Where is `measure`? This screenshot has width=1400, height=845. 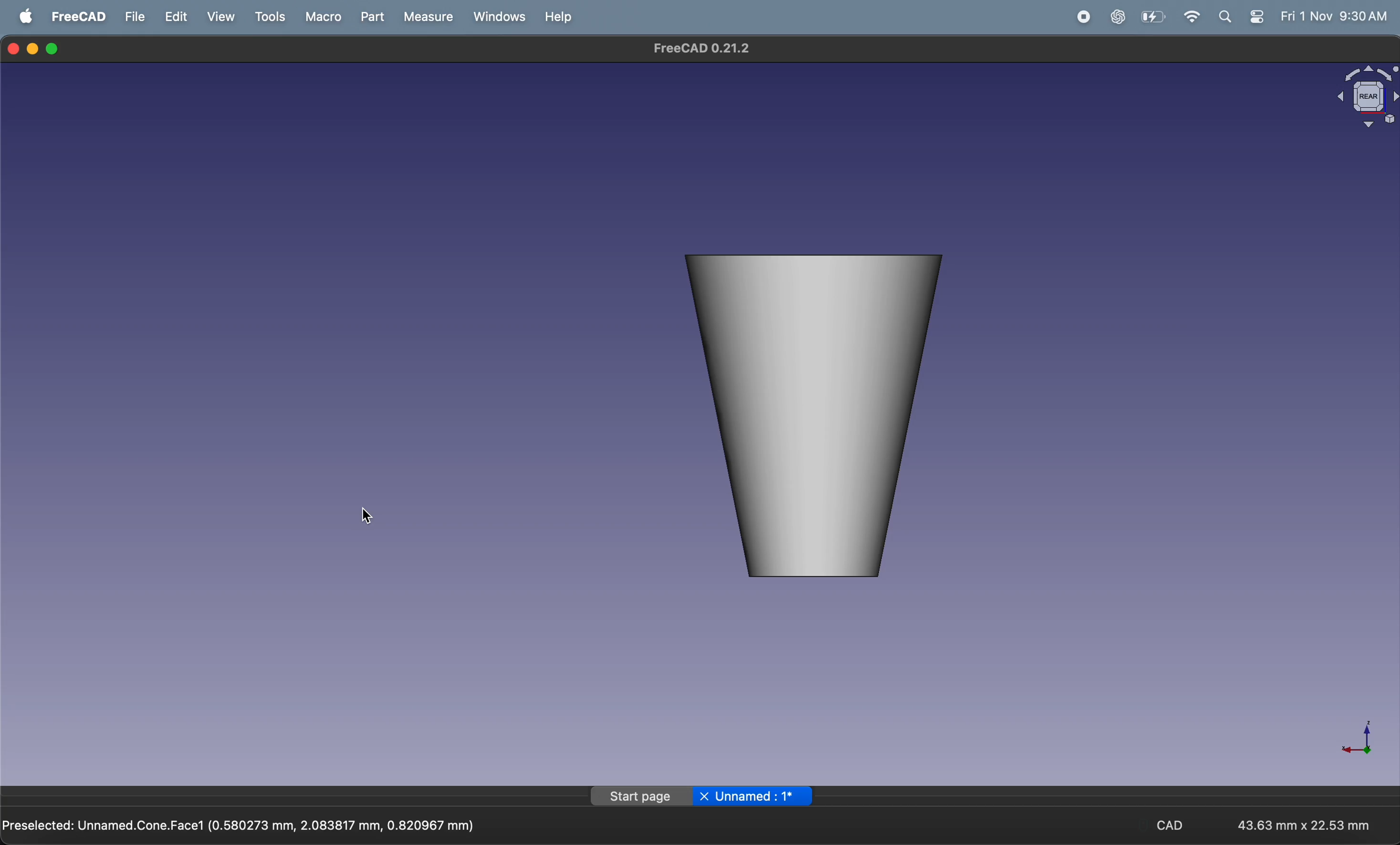
measure is located at coordinates (424, 17).